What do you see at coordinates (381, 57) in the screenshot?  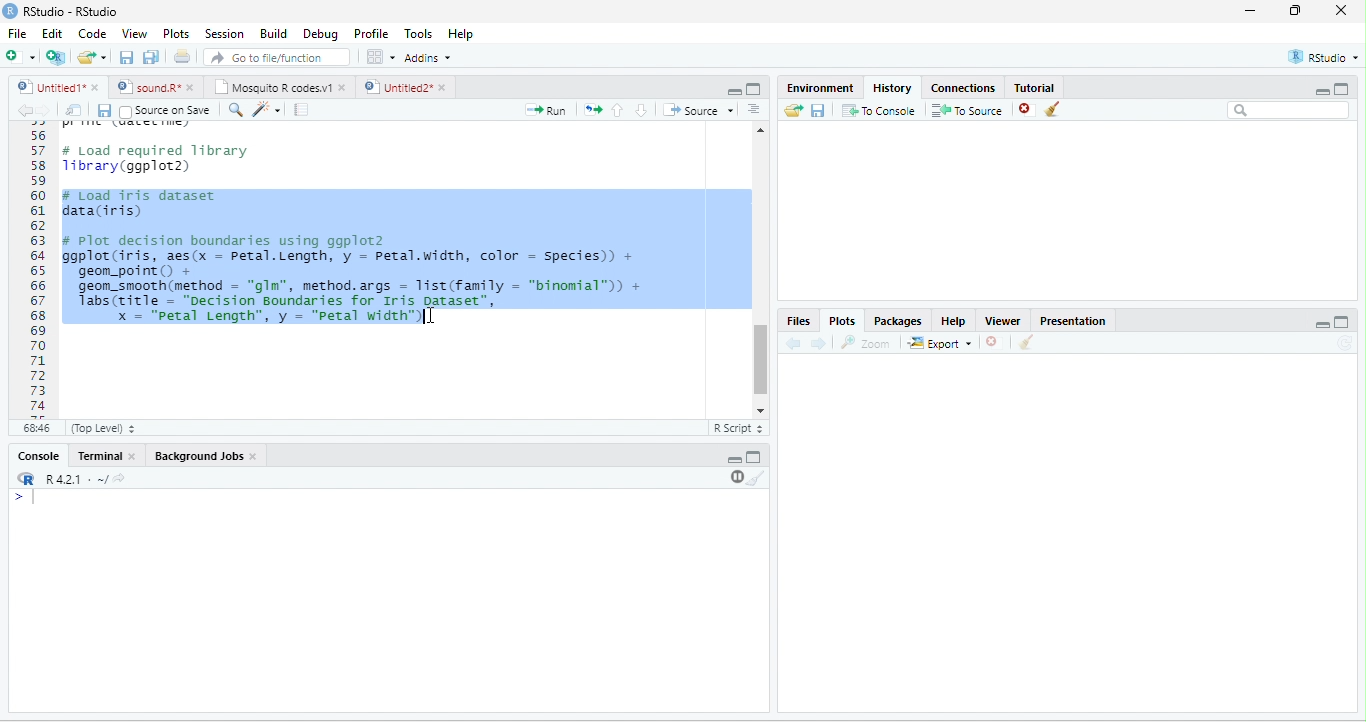 I see `options` at bounding box center [381, 57].